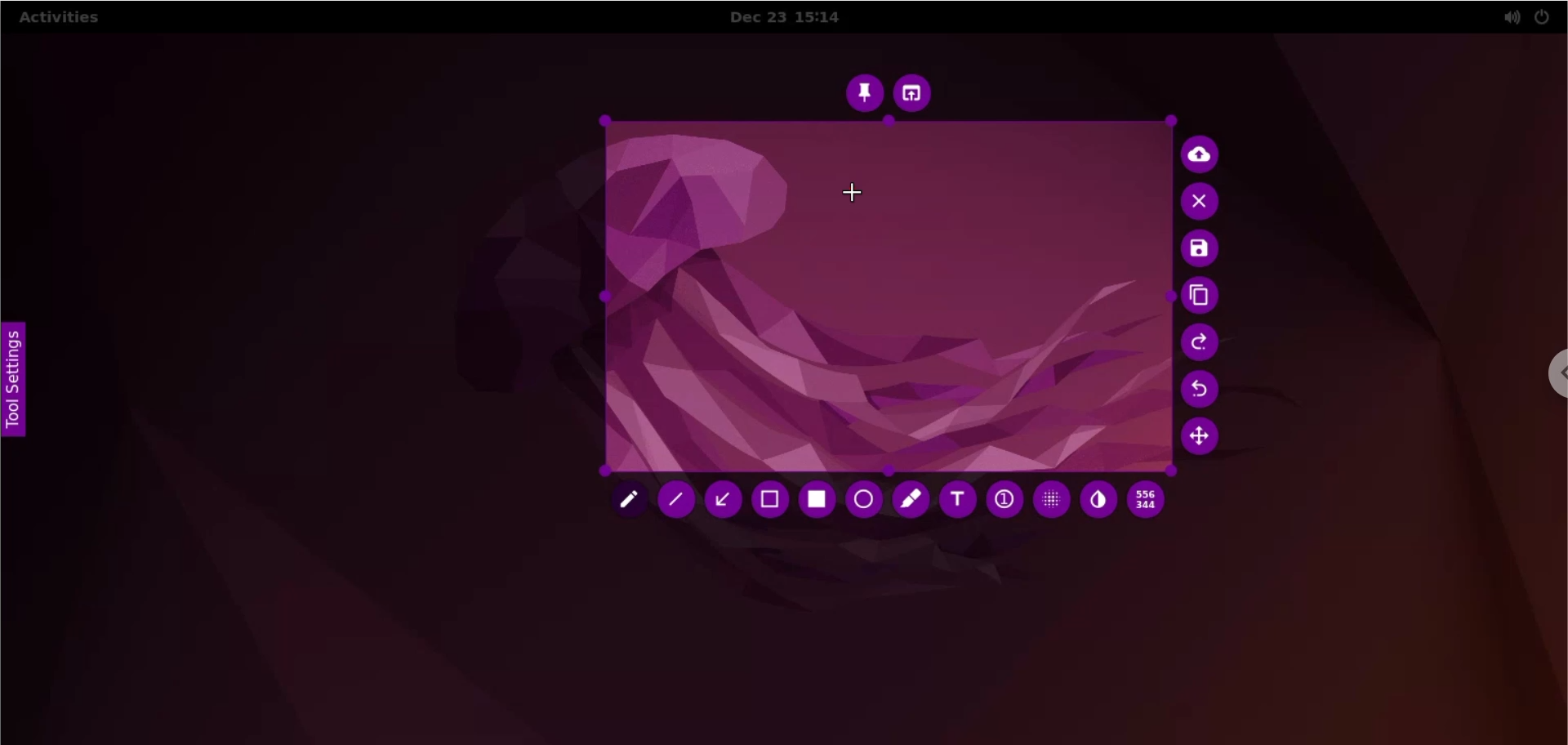  I want to click on save, so click(1205, 250).